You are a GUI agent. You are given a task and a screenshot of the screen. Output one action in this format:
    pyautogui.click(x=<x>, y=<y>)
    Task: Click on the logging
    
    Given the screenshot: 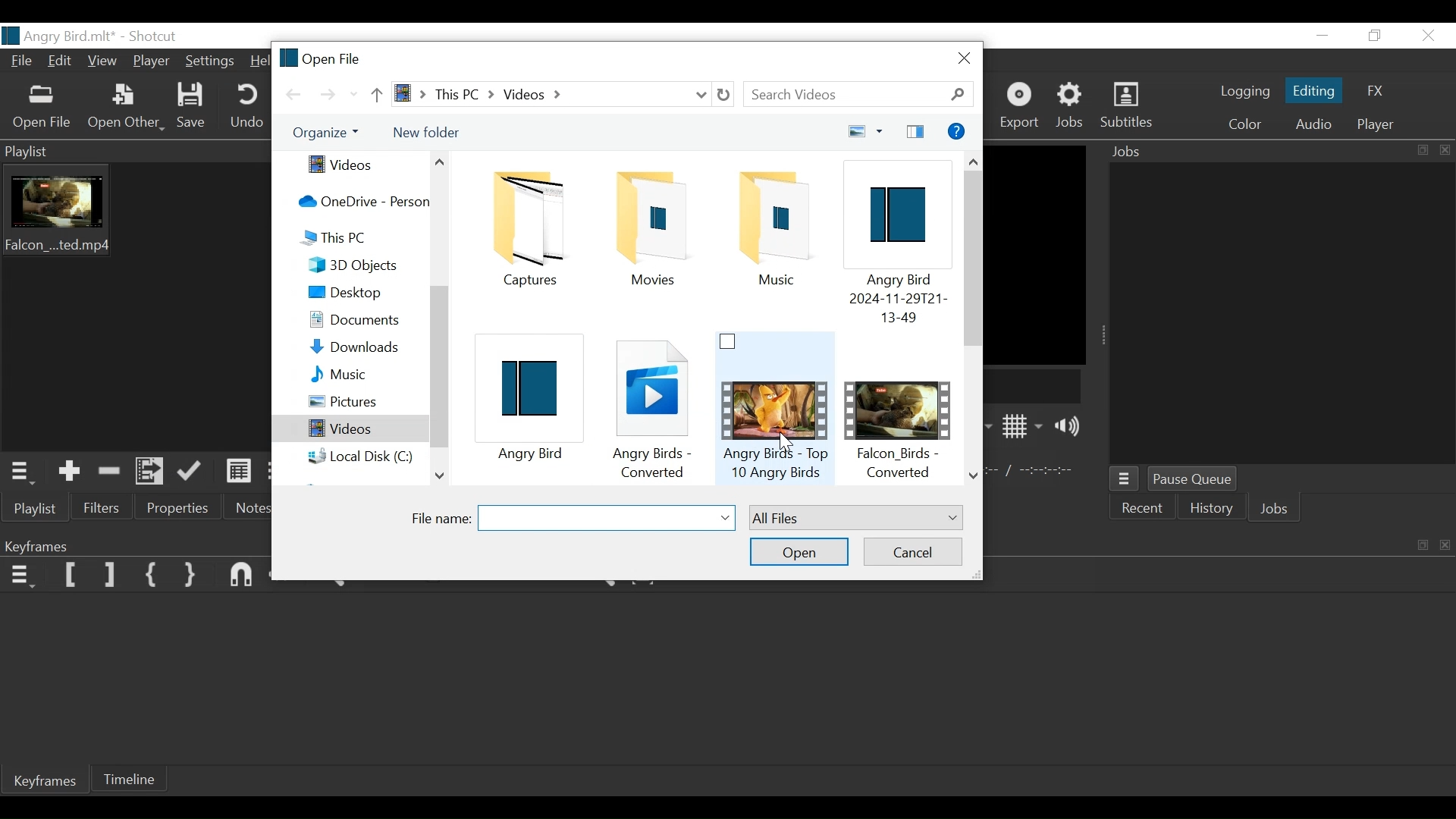 What is the action you would take?
    pyautogui.click(x=1244, y=91)
    